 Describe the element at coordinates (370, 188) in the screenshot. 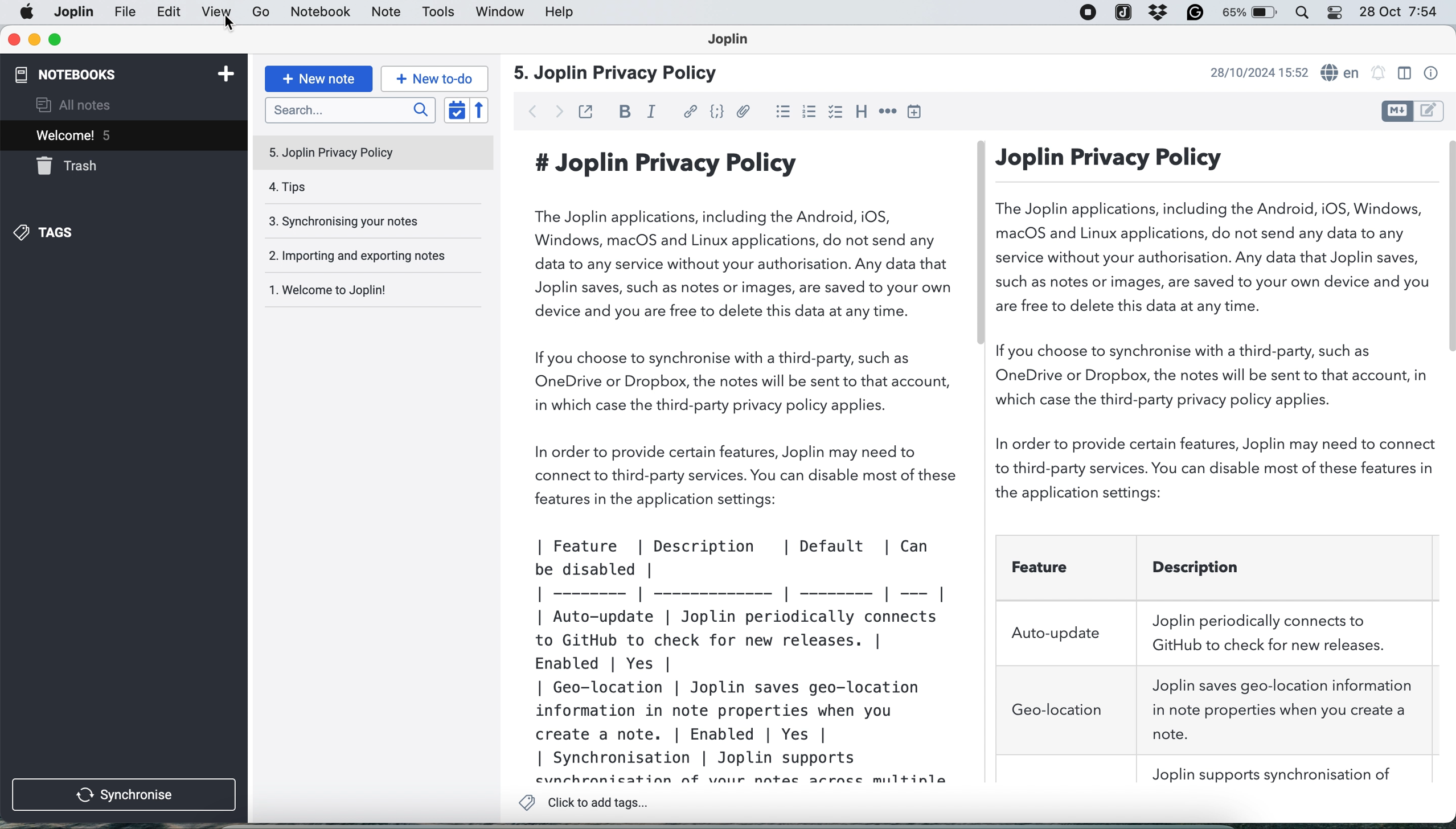

I see `4. Tips` at that location.